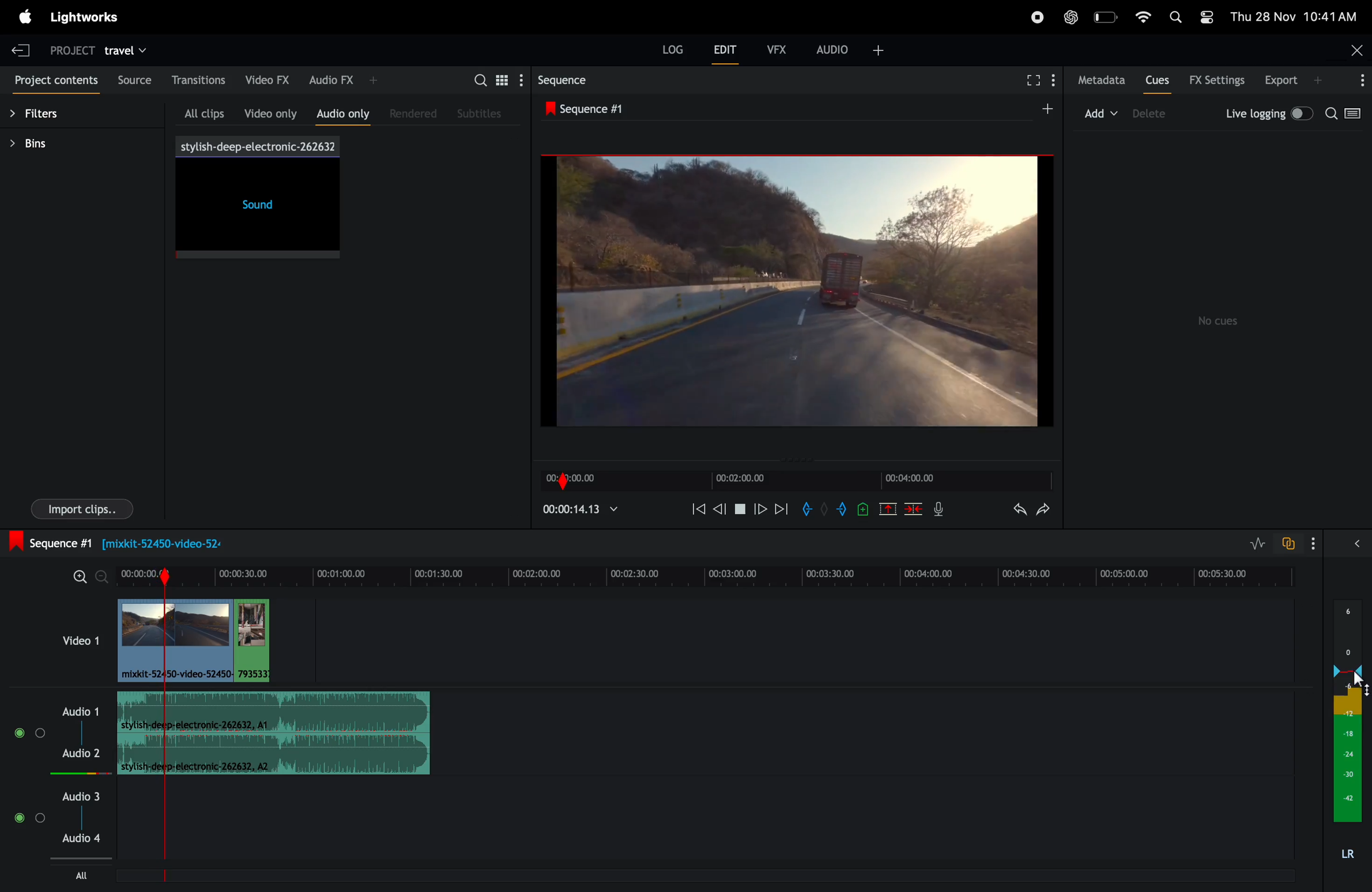 Image resolution: width=1372 pixels, height=892 pixels. I want to click on nudge back one fame, so click(721, 507).